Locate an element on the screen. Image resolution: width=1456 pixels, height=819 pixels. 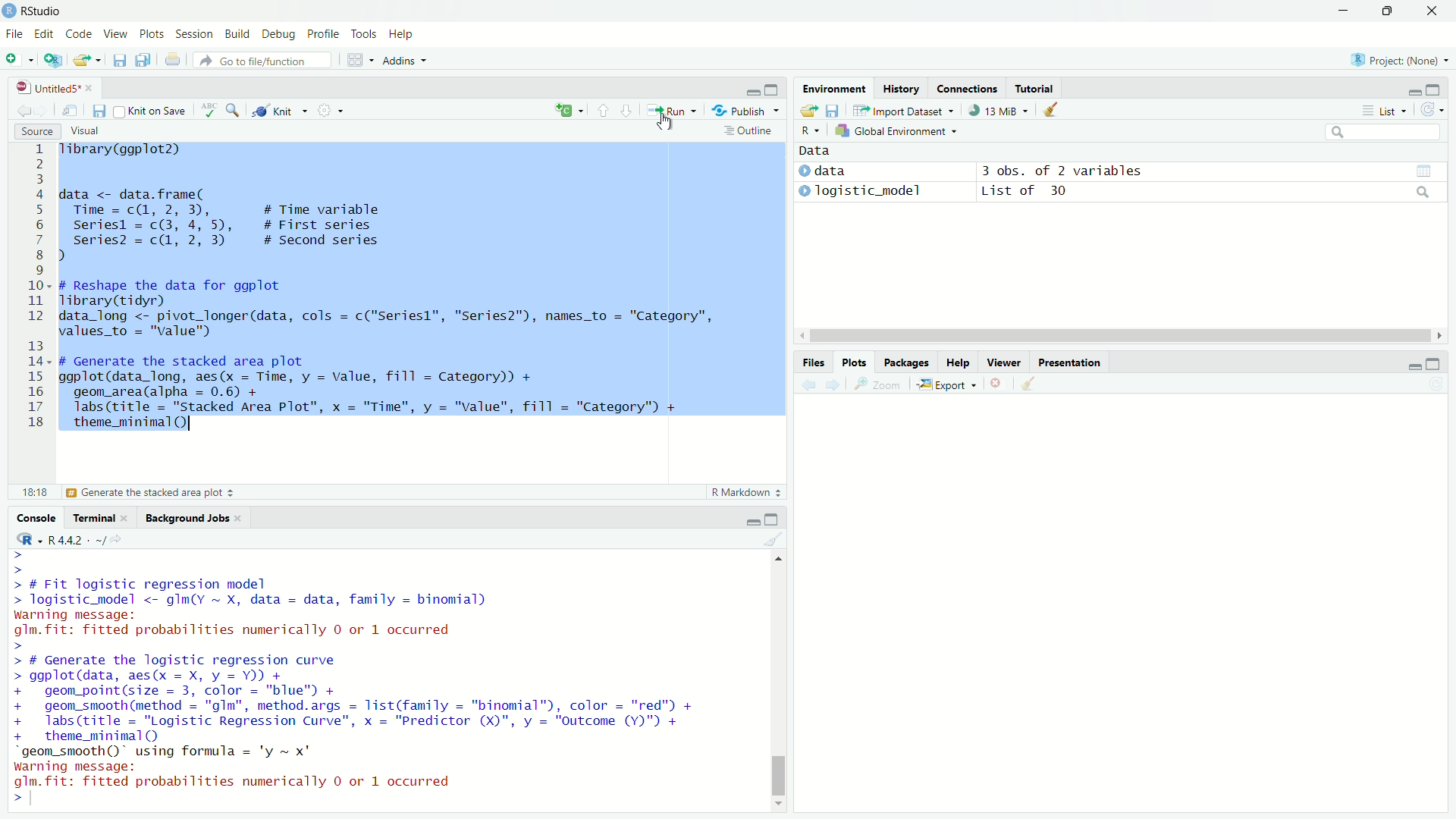
upward is located at coordinates (604, 115).